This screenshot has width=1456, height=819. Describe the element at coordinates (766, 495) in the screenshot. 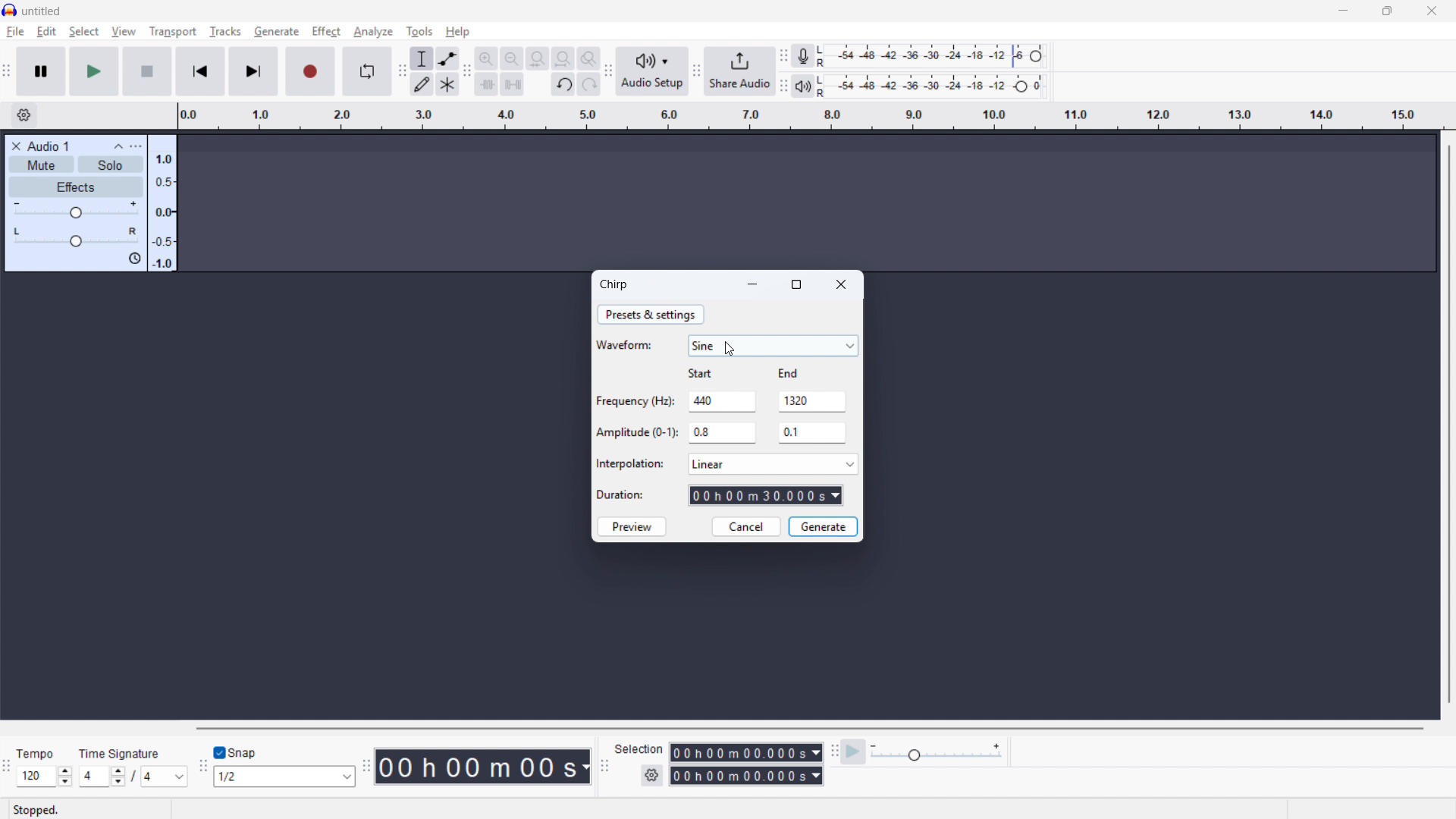

I see `Duration ` at that location.